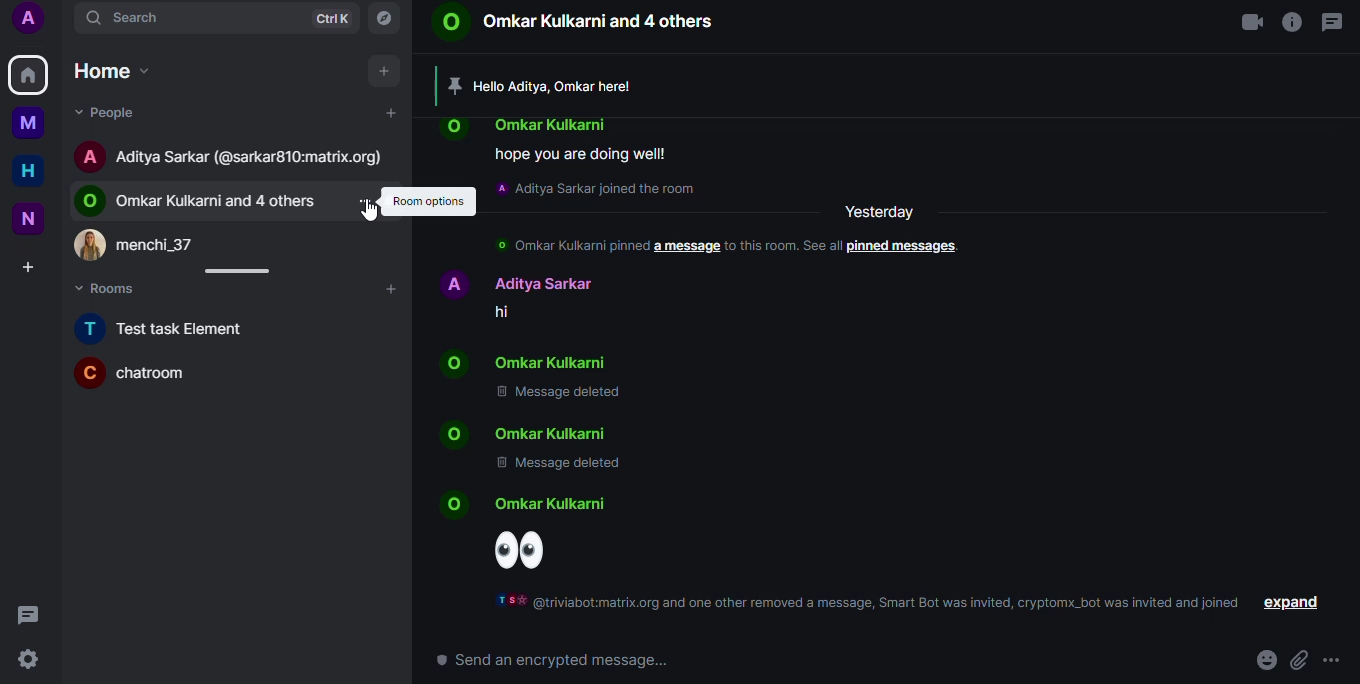  I want to click on room options, so click(428, 201).